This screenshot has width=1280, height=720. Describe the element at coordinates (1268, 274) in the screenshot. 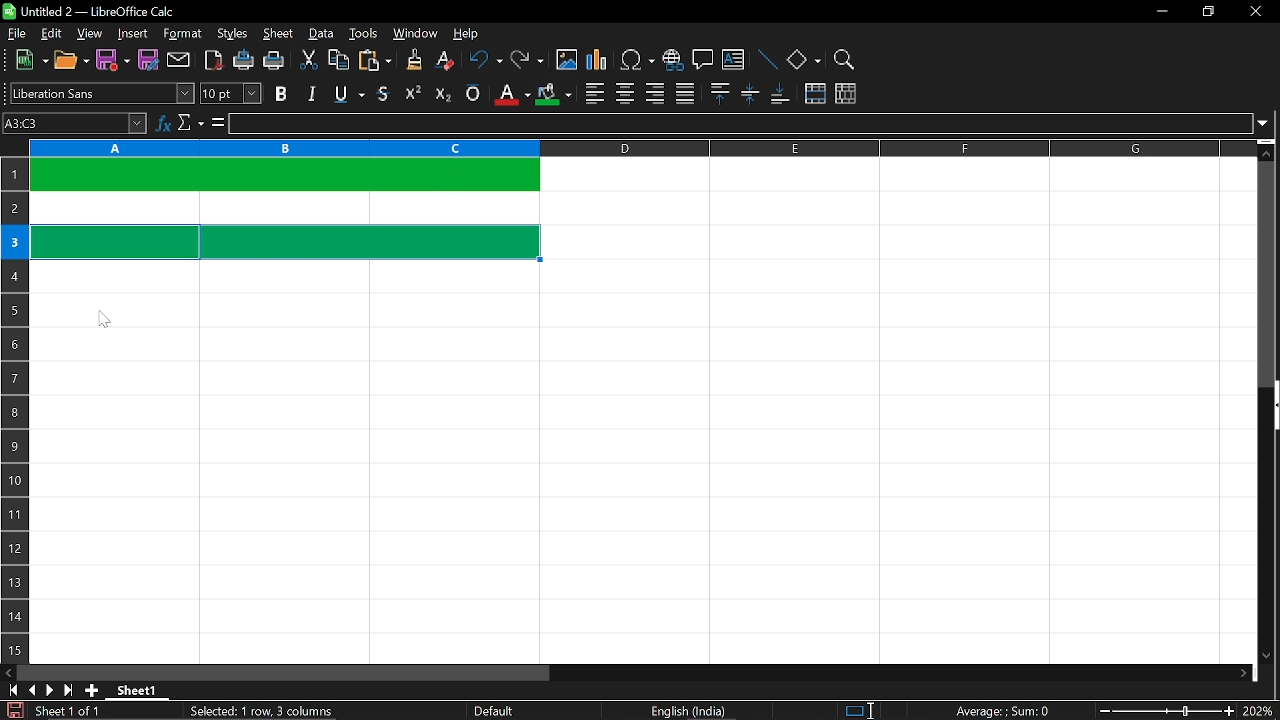

I see `vertical scrollbar` at that location.